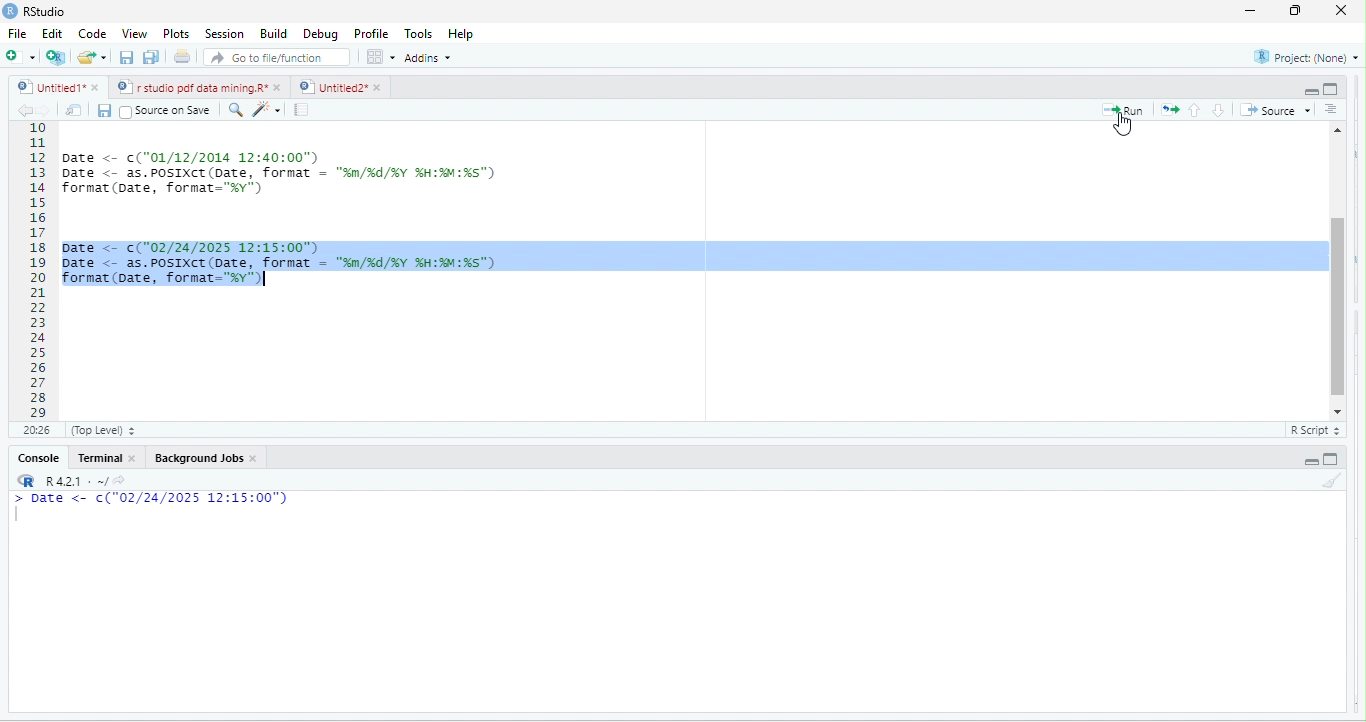  I want to click on File, so click(16, 35).